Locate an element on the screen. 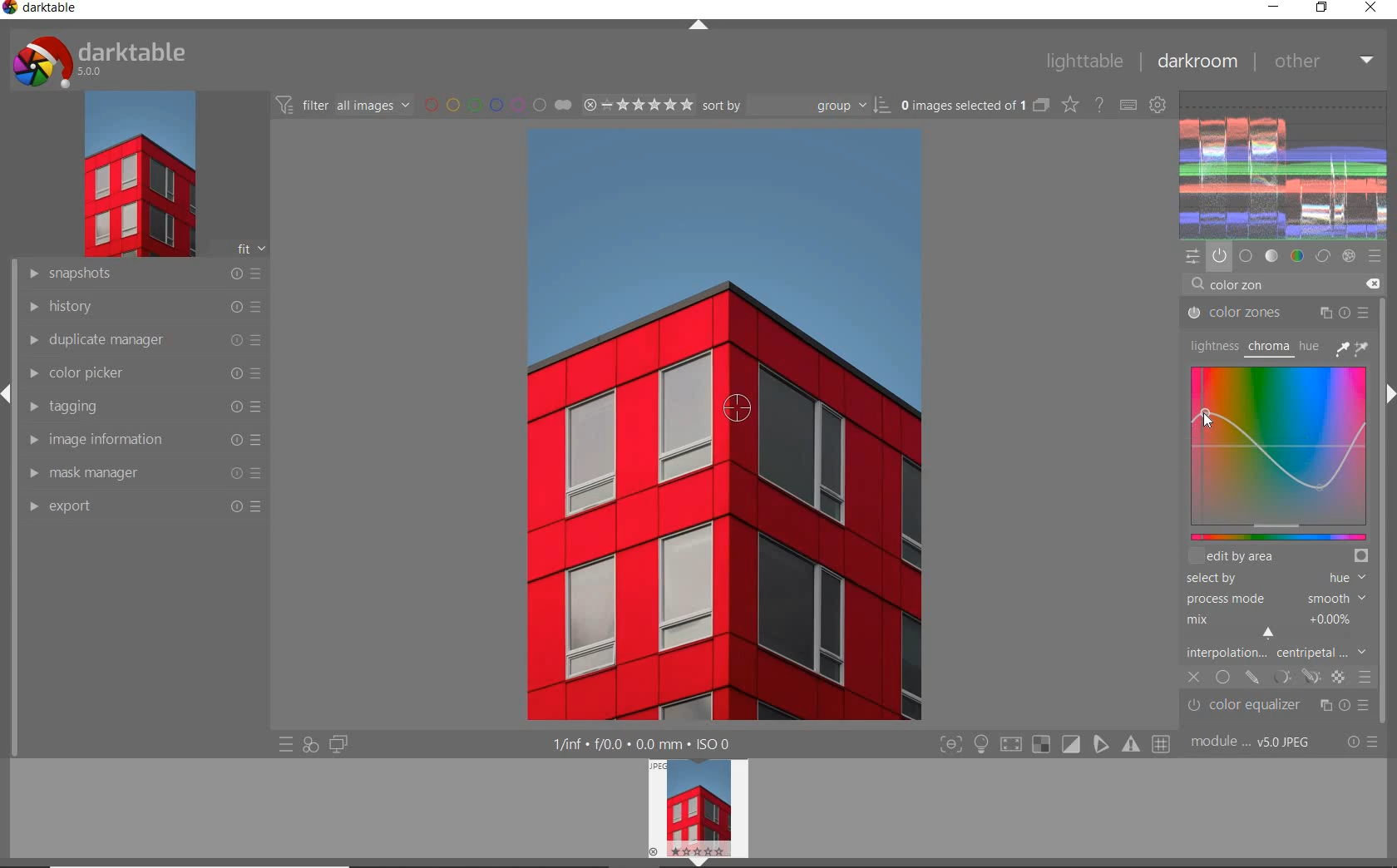 Image resolution: width=1397 pixels, height=868 pixels. COLOR ZONES is located at coordinates (1278, 313).